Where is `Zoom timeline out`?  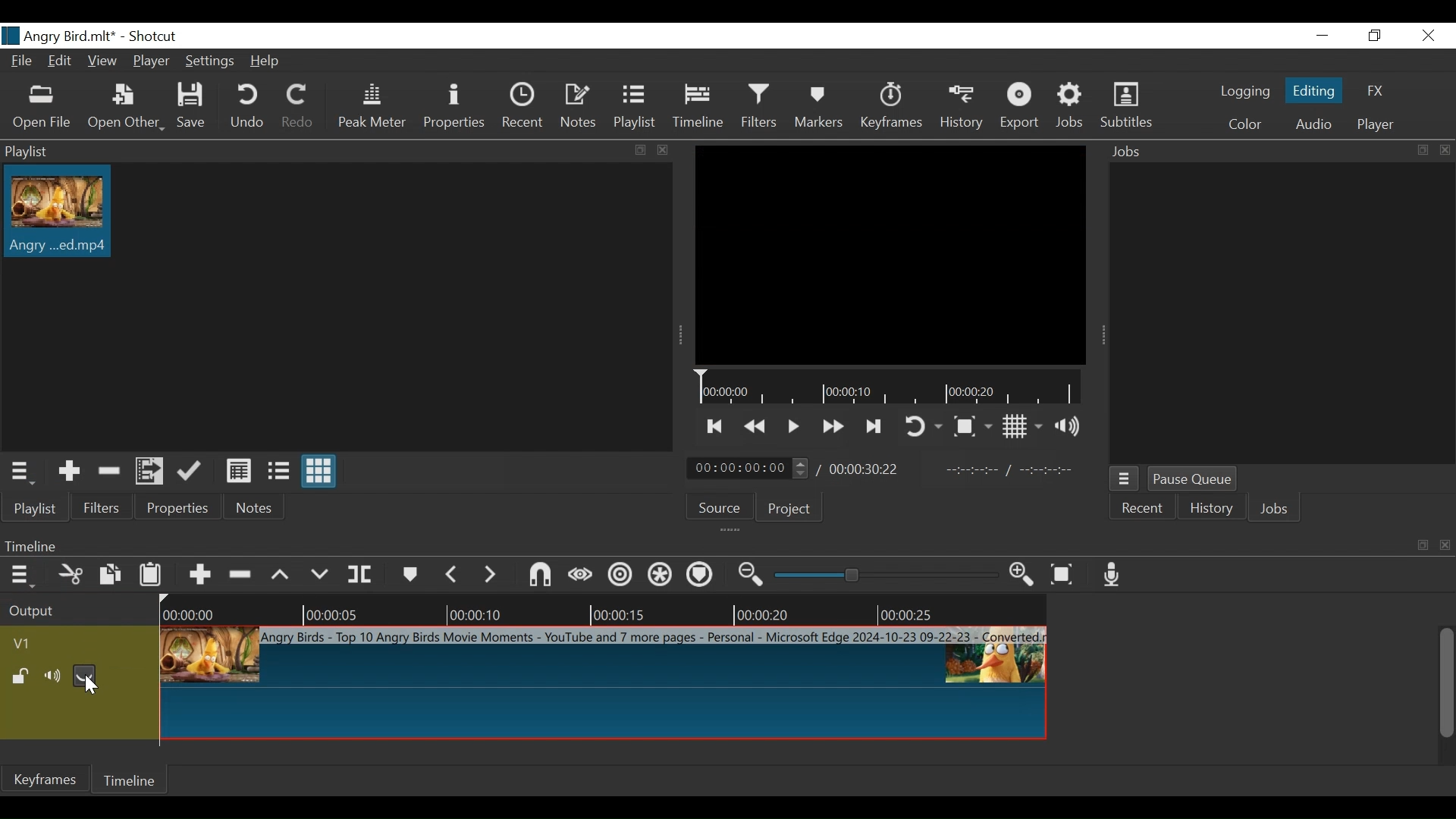
Zoom timeline out is located at coordinates (753, 575).